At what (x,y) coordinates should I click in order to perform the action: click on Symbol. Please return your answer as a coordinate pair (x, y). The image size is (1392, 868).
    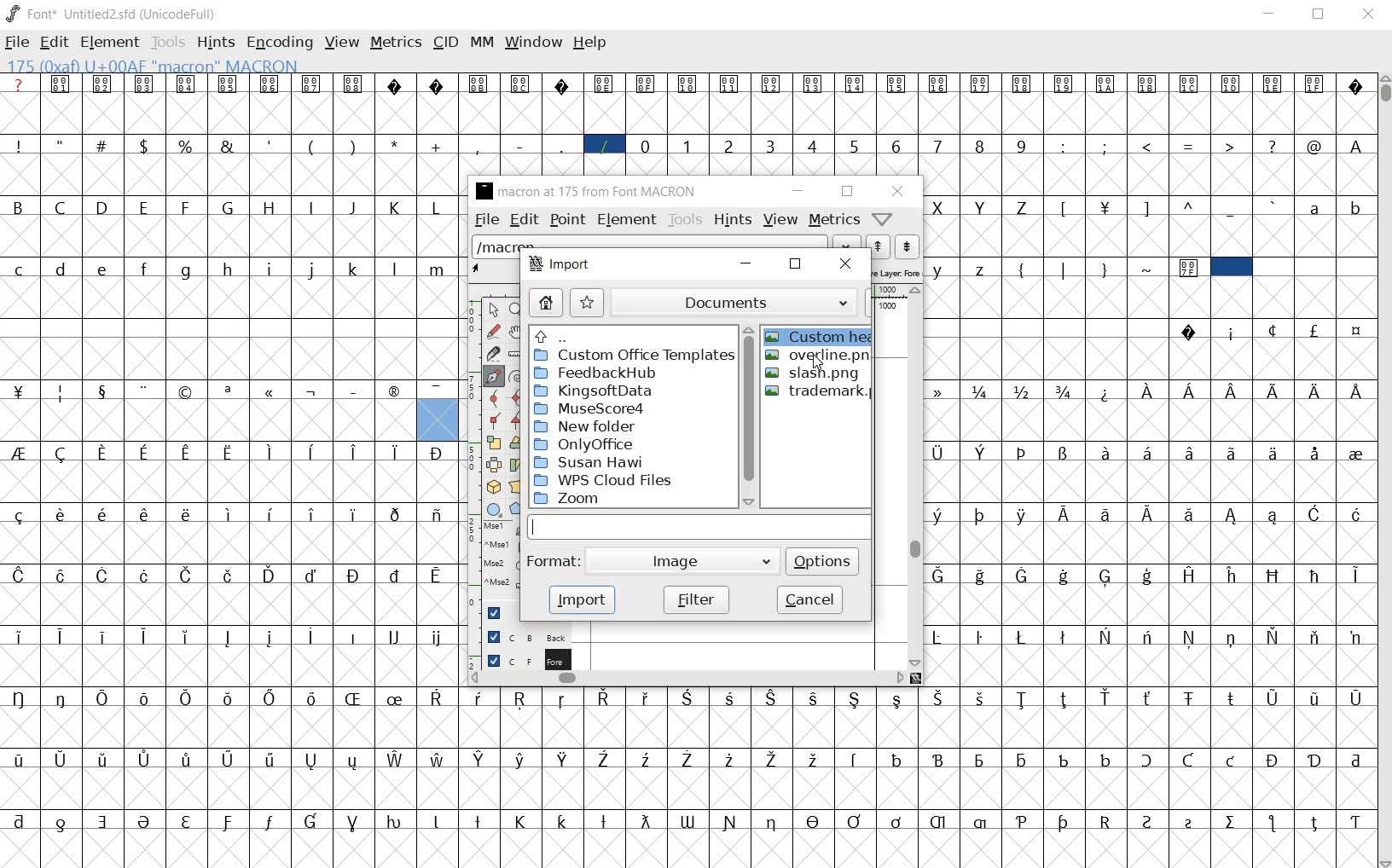
    Looking at the image, I should click on (62, 454).